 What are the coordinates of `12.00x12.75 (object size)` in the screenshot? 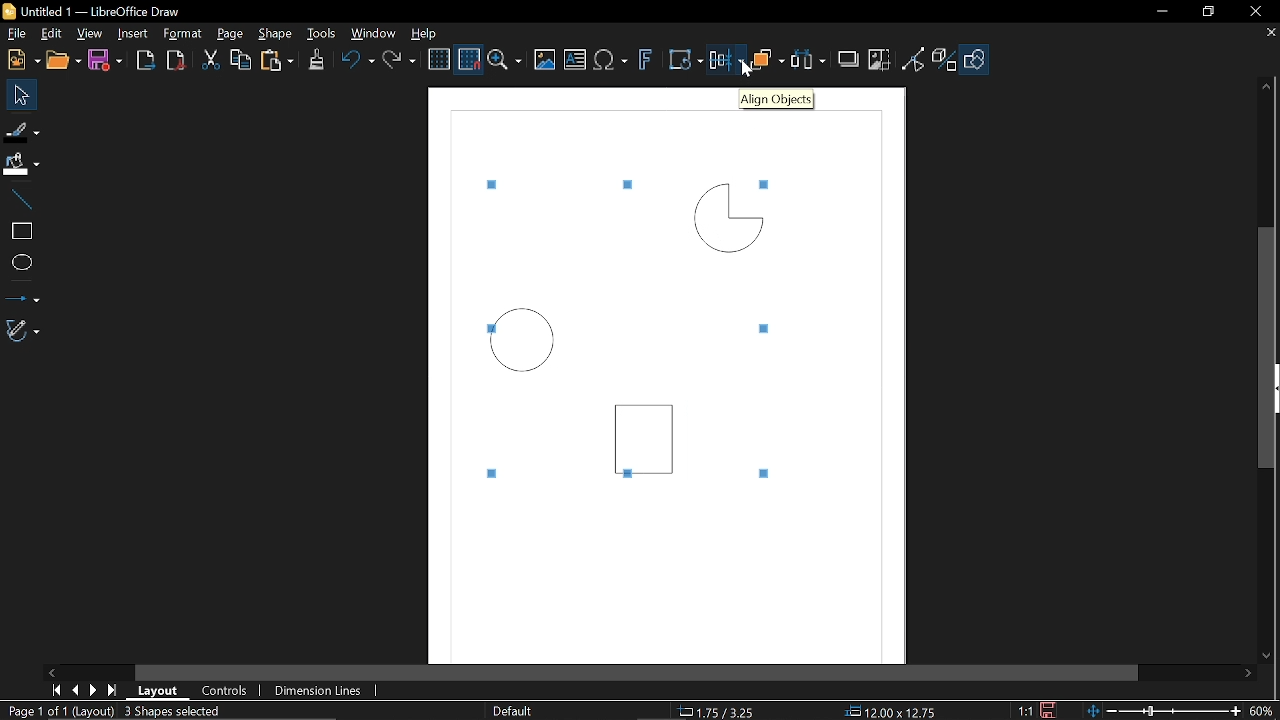 It's located at (889, 712).